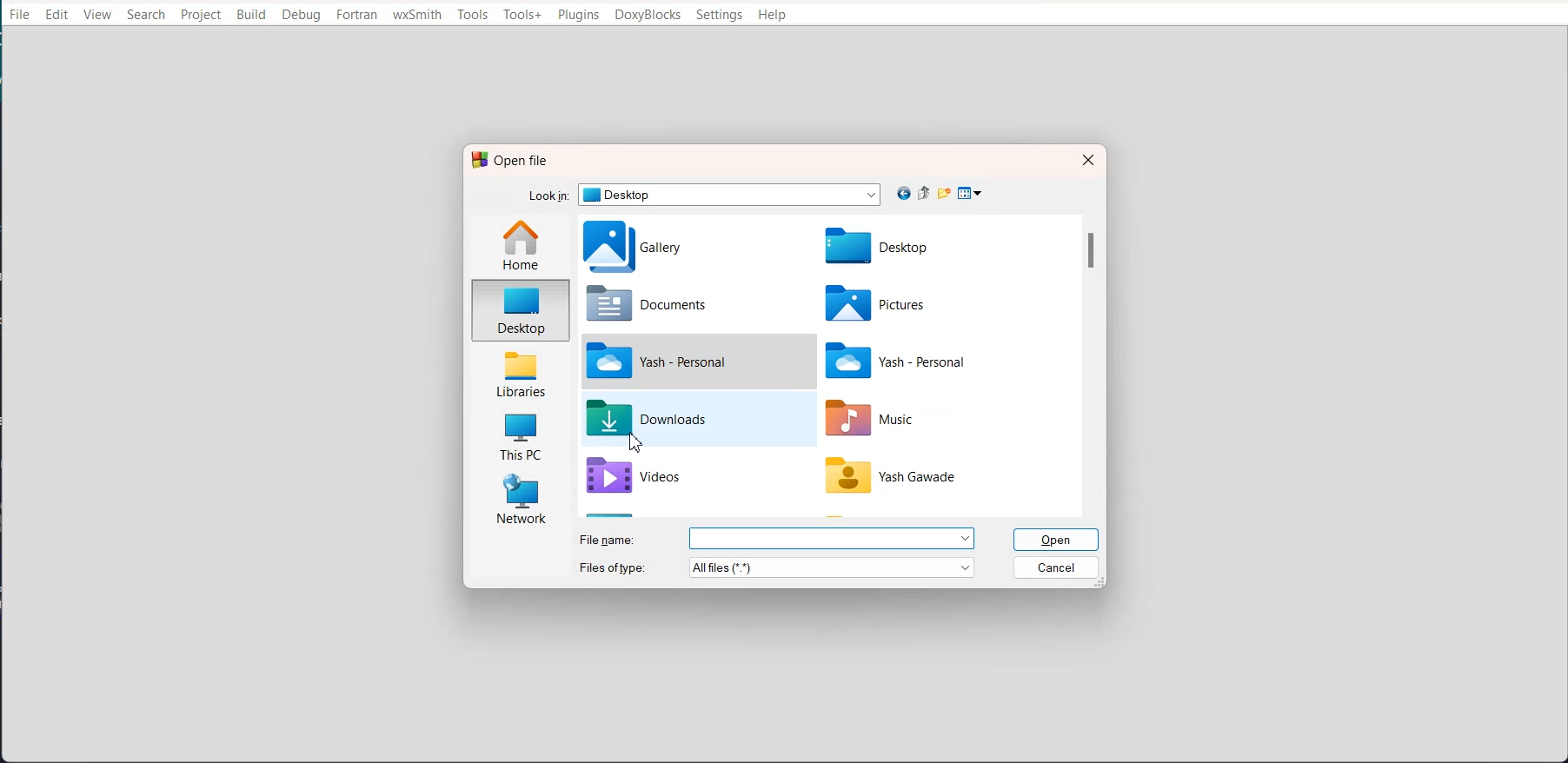  I want to click on Close, so click(1086, 159).